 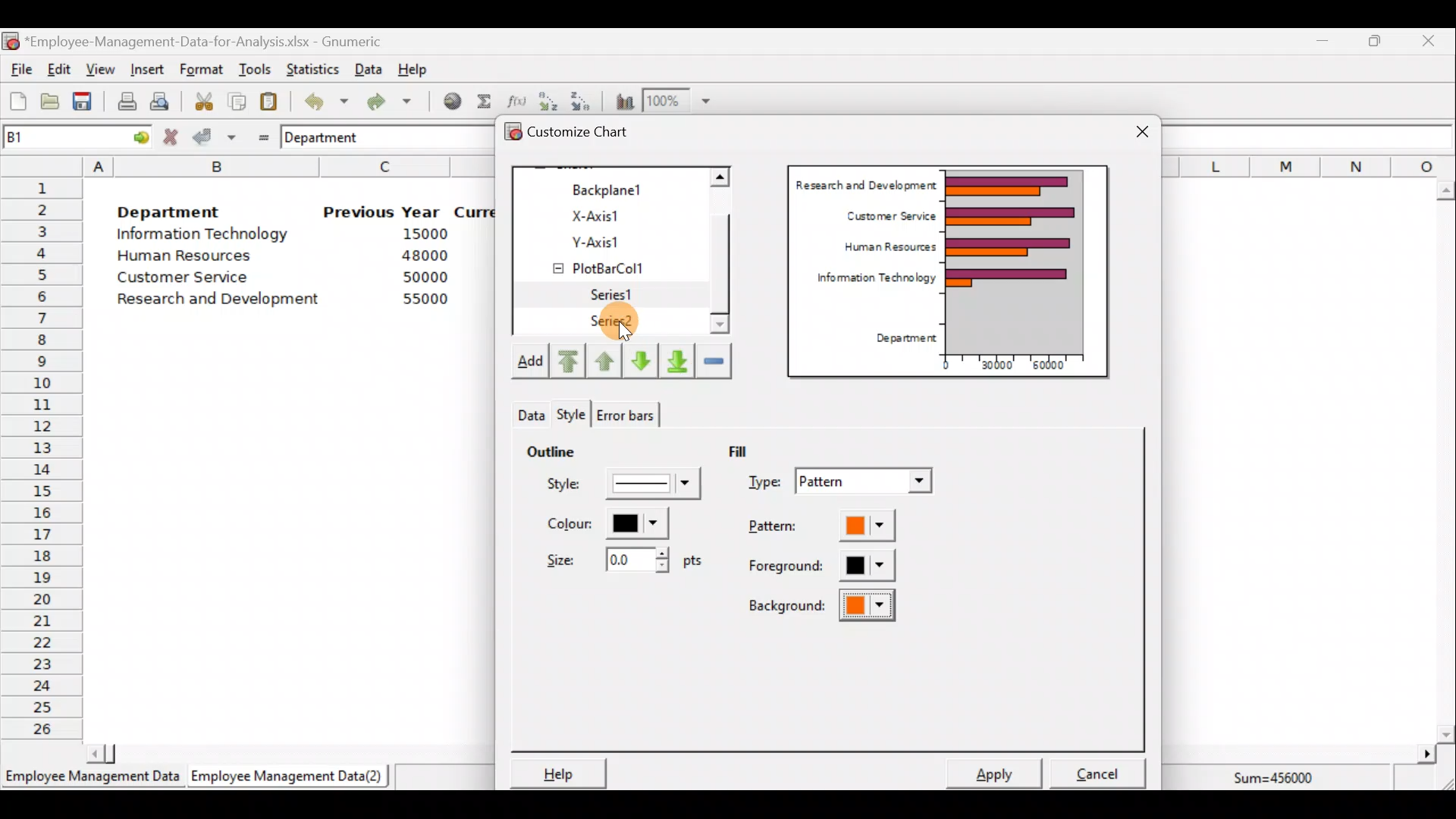 I want to click on X-axis1, so click(x=613, y=215).